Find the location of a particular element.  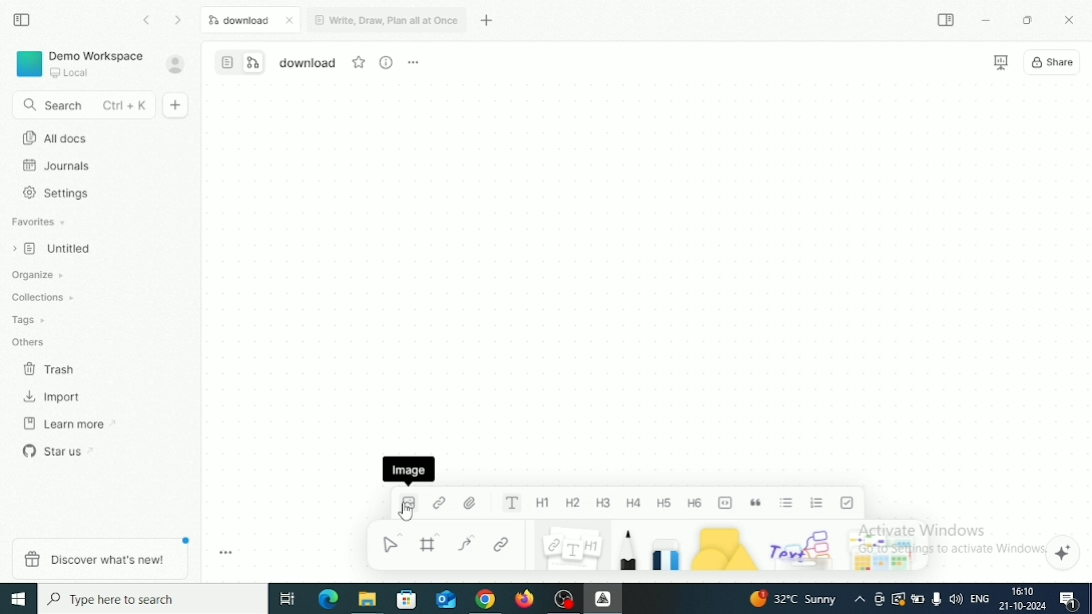

Learn more is located at coordinates (71, 423).